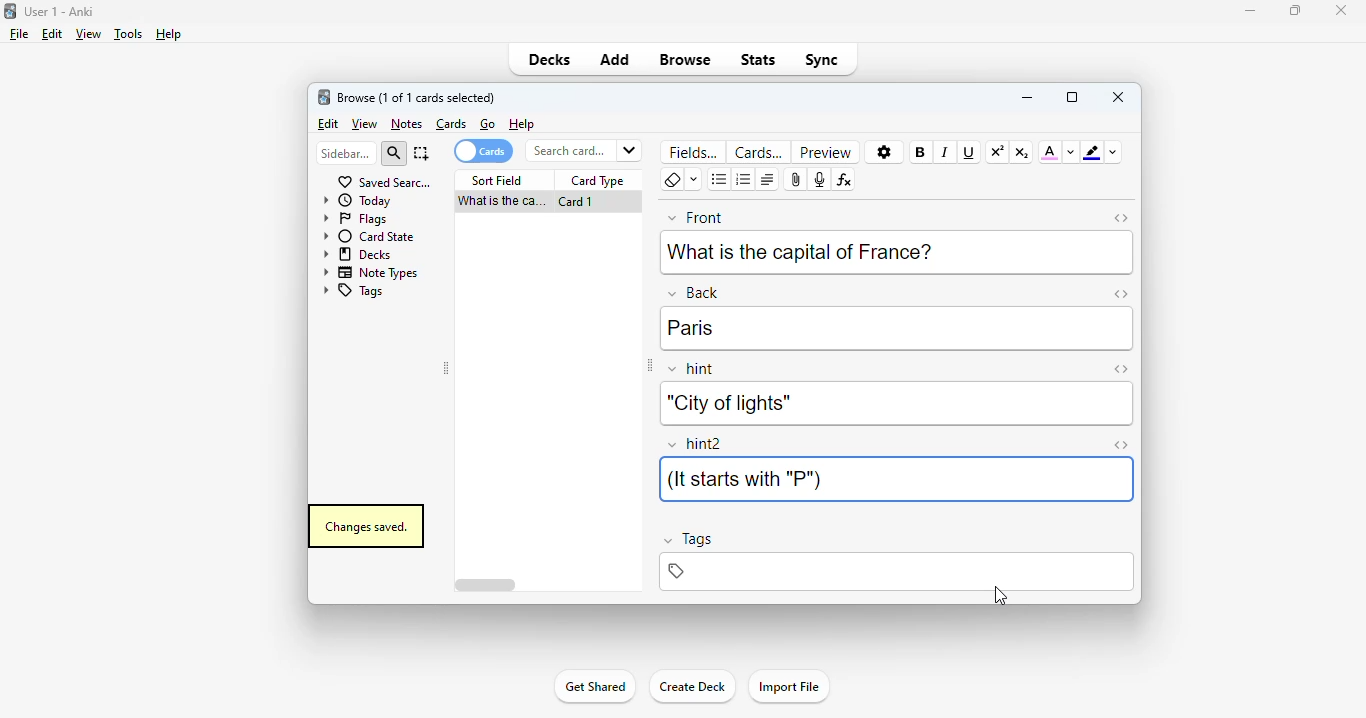 This screenshot has height=718, width=1366. I want to click on close, so click(1119, 96).